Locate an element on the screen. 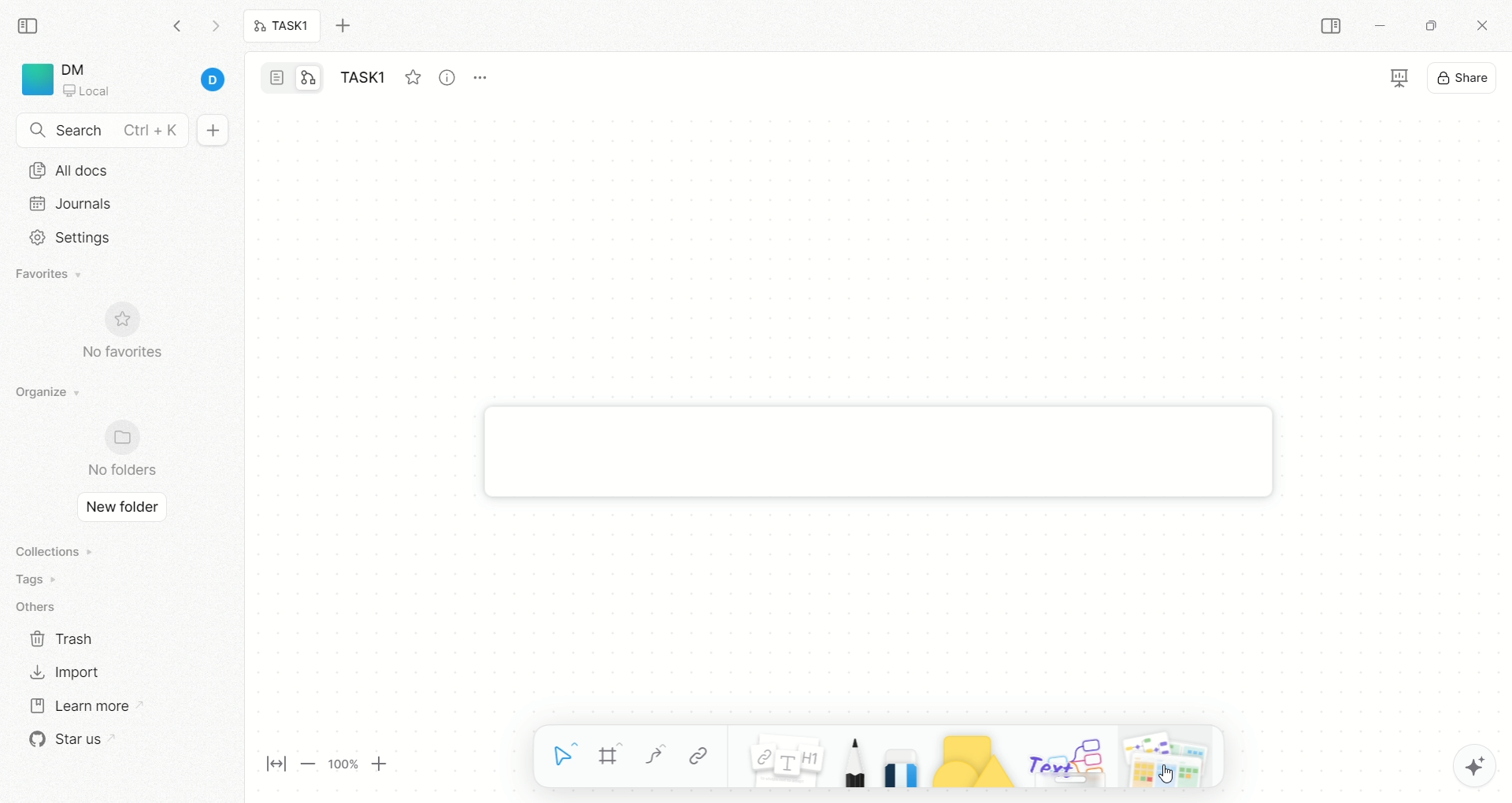  view is located at coordinates (1386, 80).